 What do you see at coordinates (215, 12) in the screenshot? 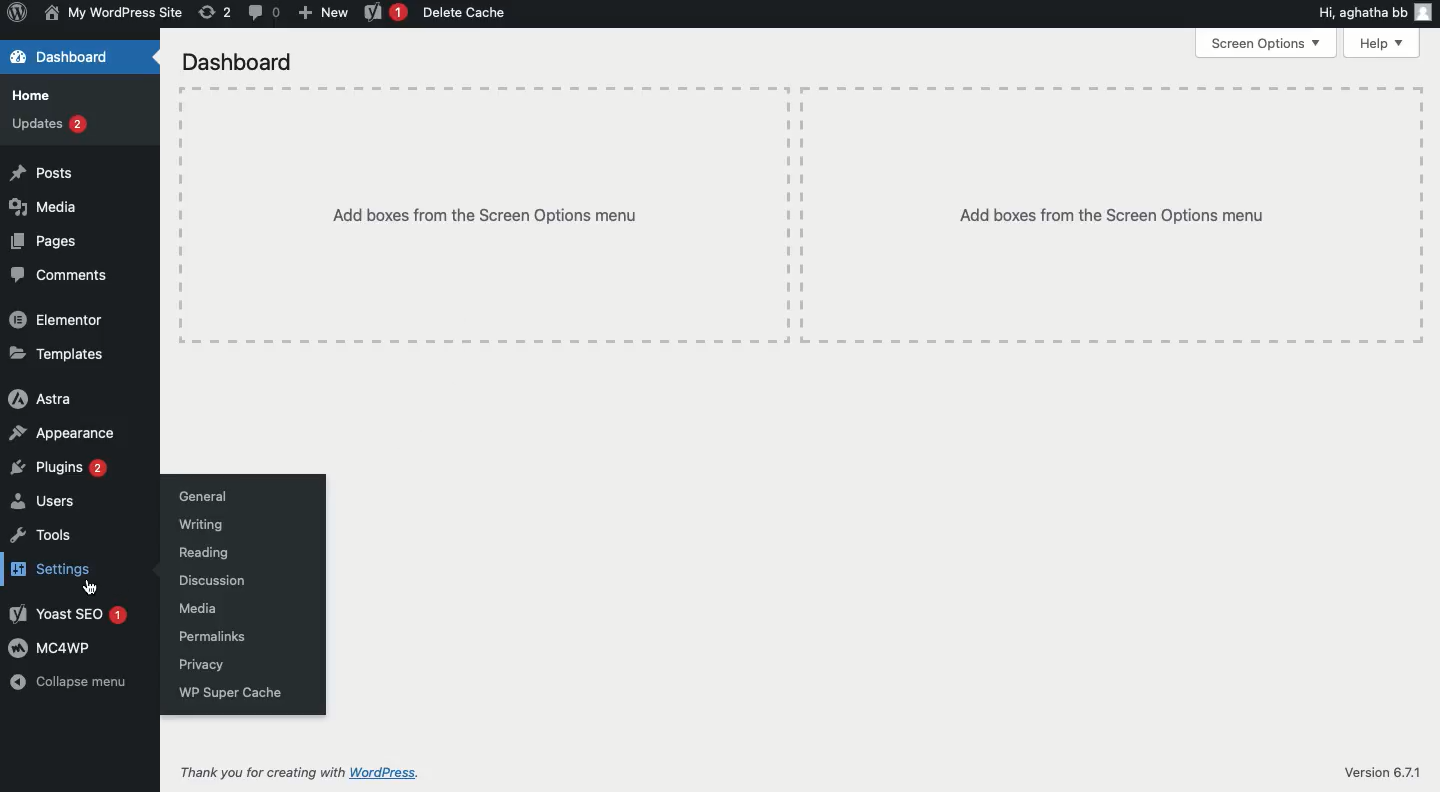
I see `Revisions (2)` at bounding box center [215, 12].